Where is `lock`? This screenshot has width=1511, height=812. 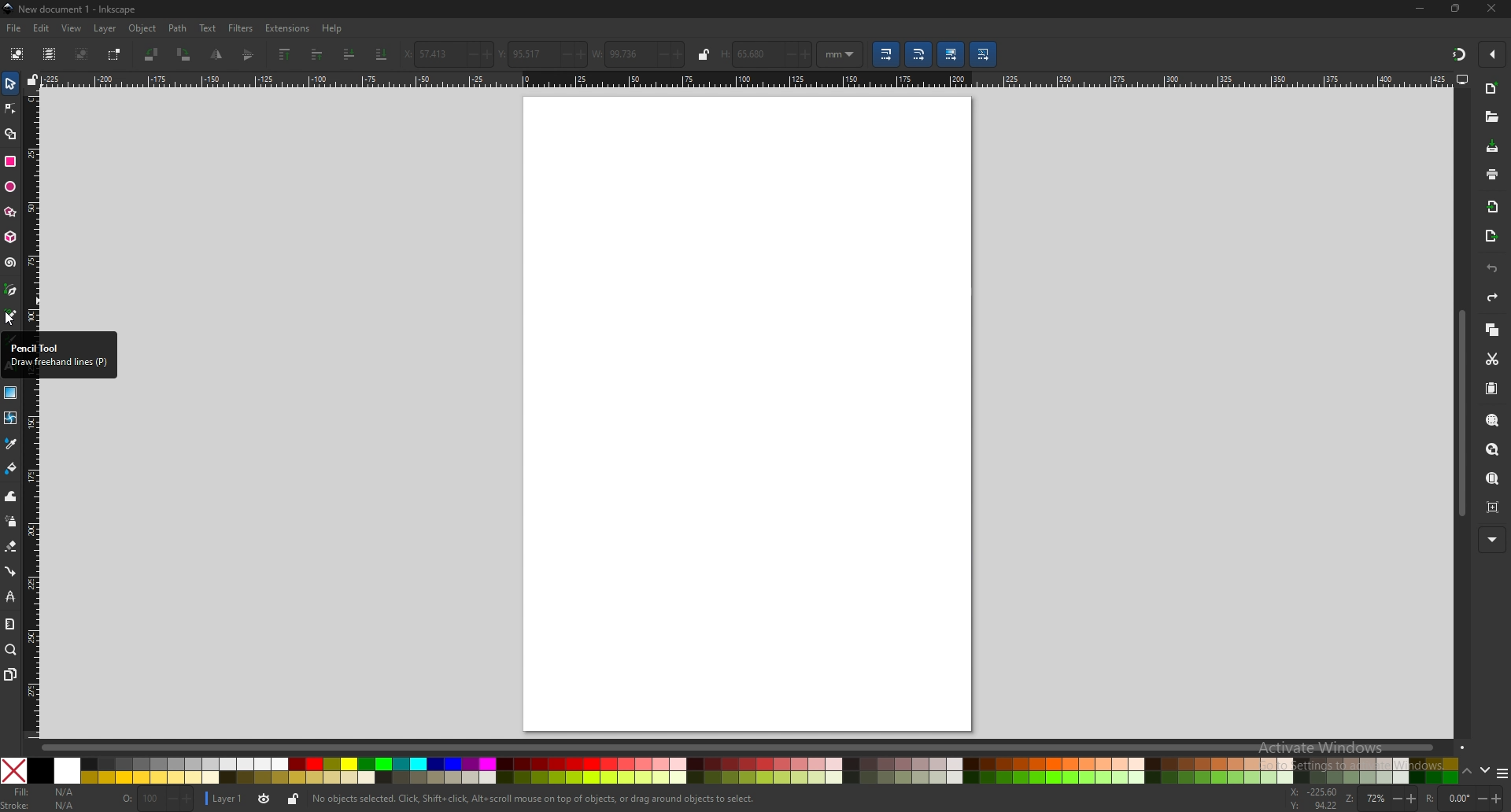
lock is located at coordinates (704, 54).